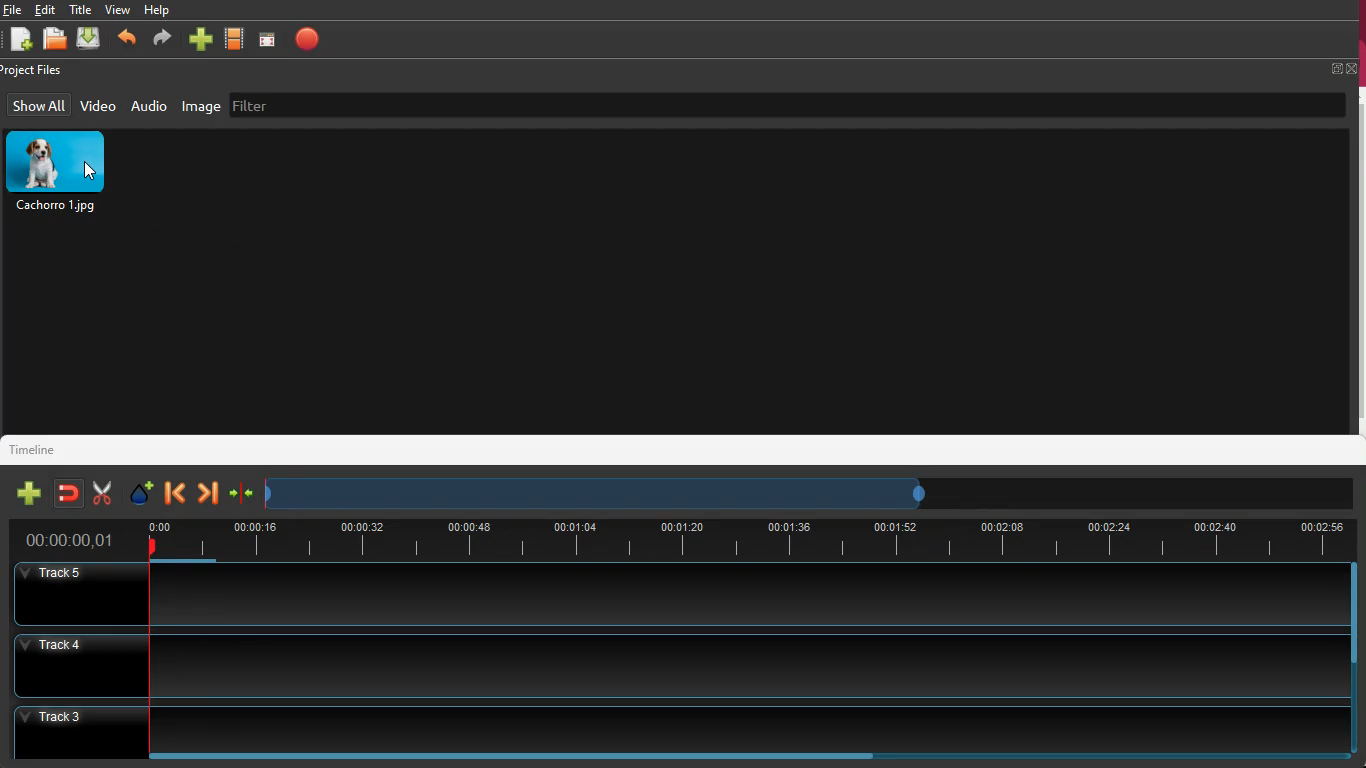 The width and height of the screenshot is (1366, 768). Describe the element at coordinates (158, 12) in the screenshot. I see `help` at that location.